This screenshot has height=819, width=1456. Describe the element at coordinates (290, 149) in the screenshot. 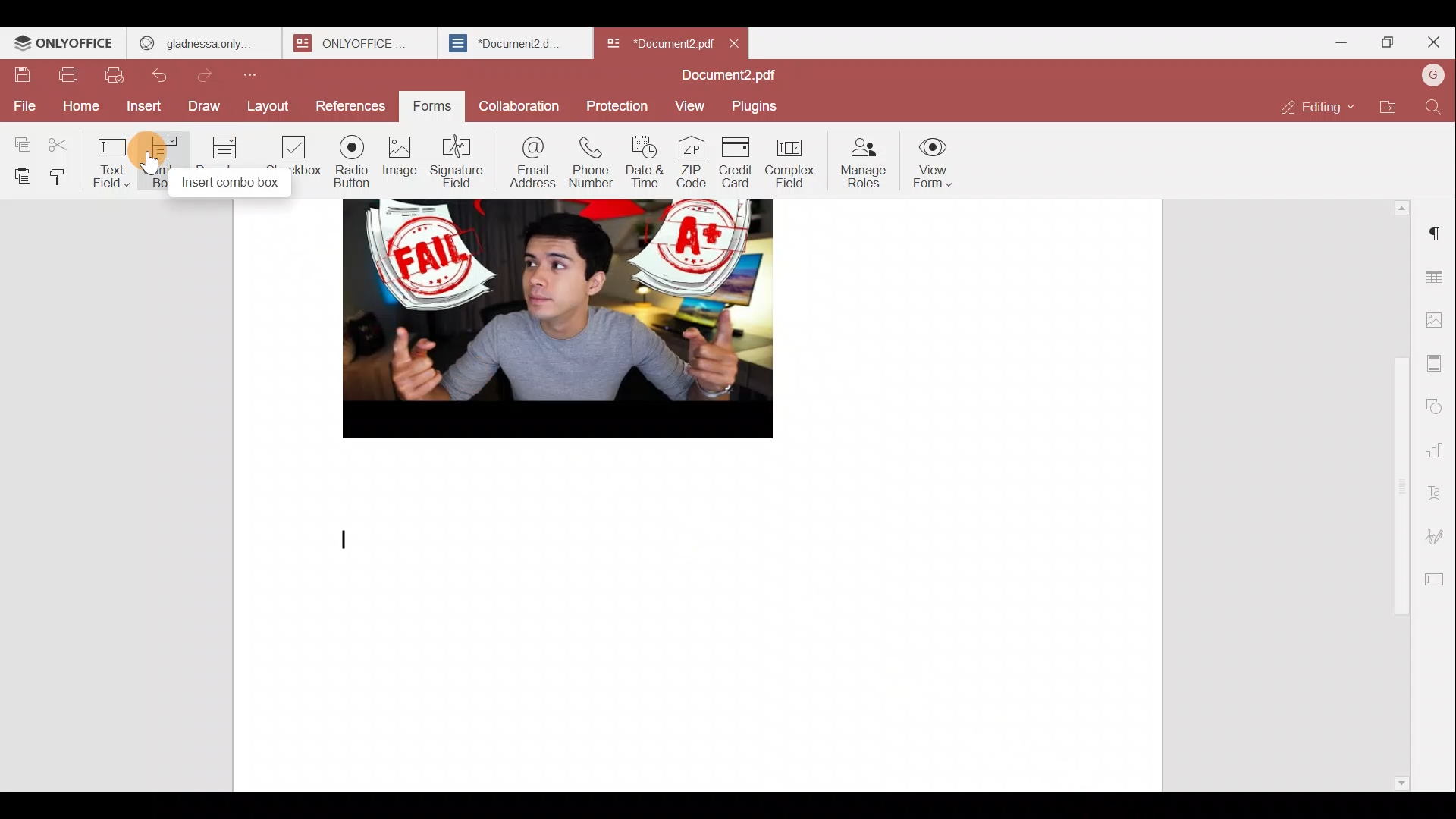

I see `Checkbox` at that location.